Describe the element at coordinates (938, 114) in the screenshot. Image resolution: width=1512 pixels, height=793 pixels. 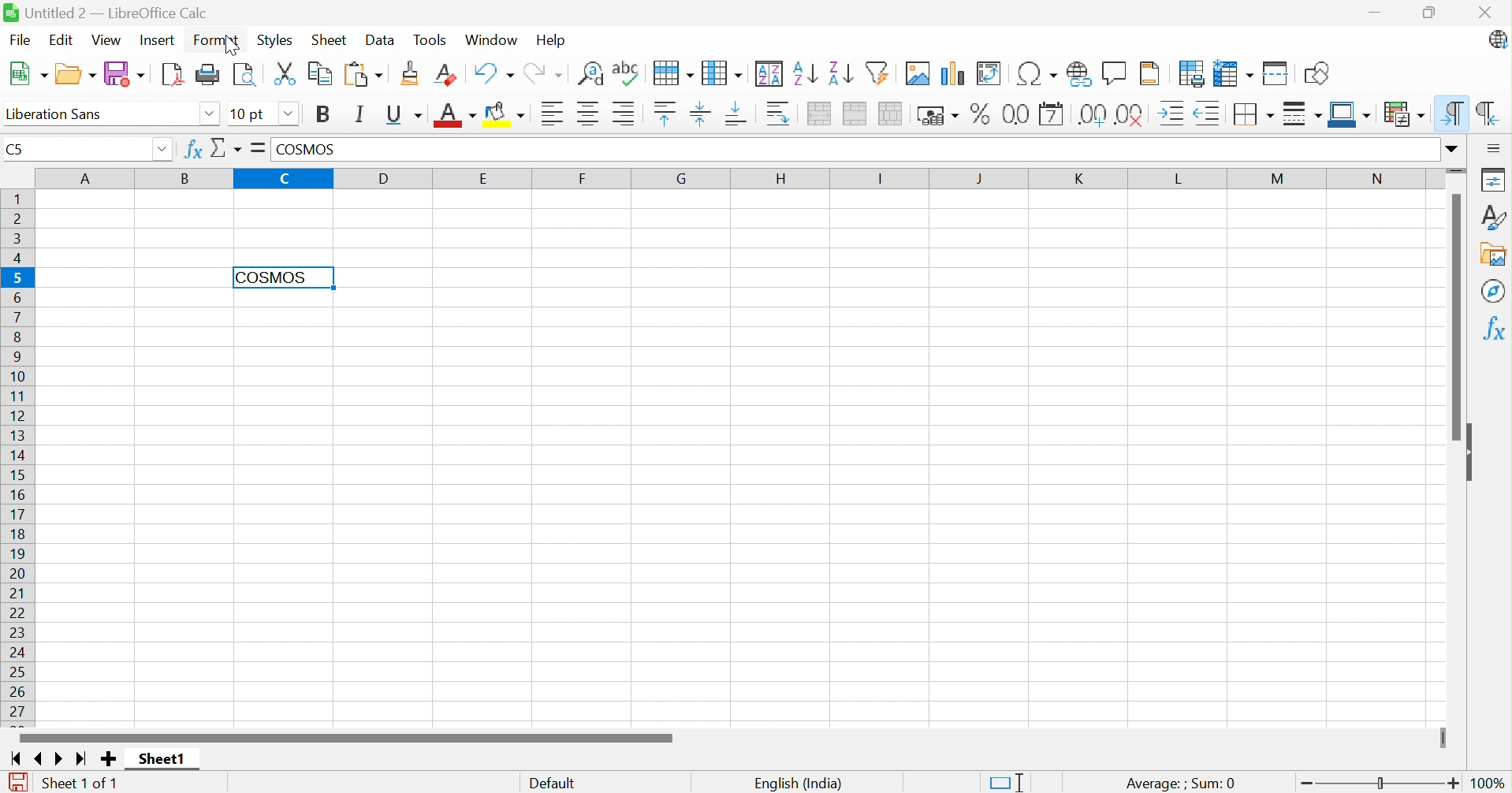
I see `Format as Currency` at that location.